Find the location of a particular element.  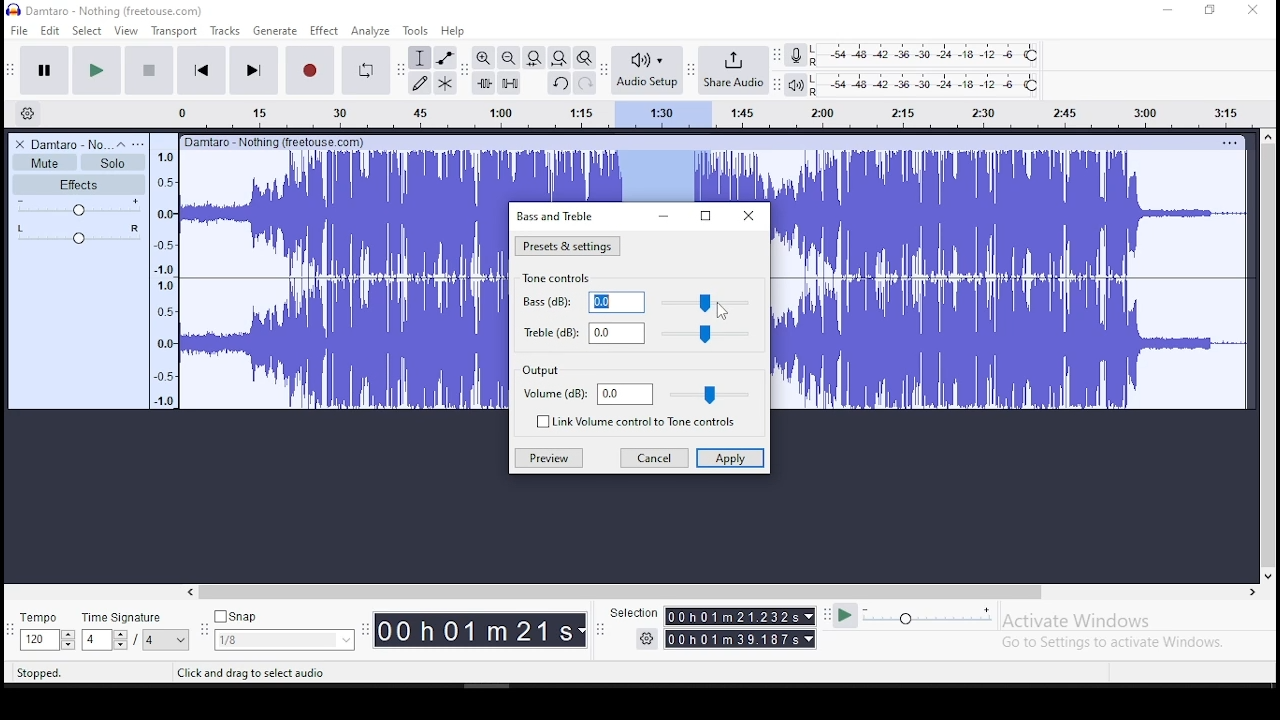

 is located at coordinates (775, 53).